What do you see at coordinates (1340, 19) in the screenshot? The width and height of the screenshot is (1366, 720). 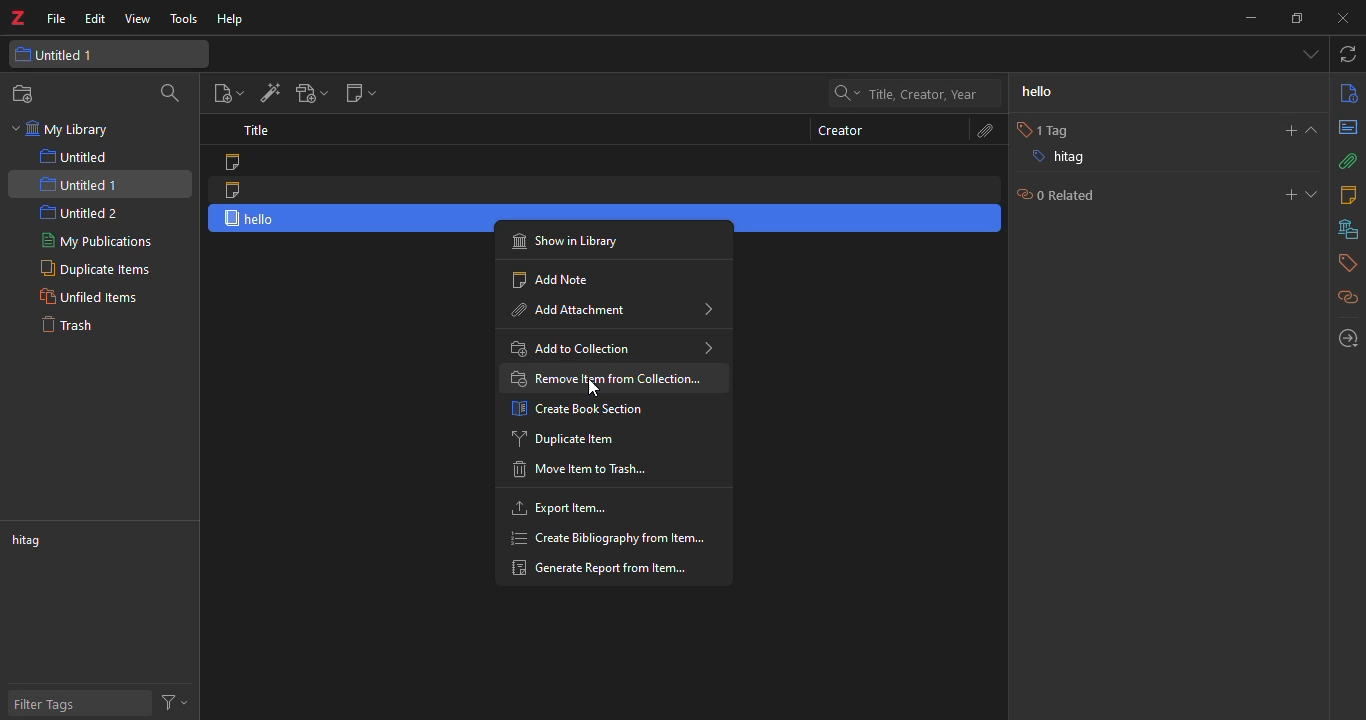 I see `close` at bounding box center [1340, 19].